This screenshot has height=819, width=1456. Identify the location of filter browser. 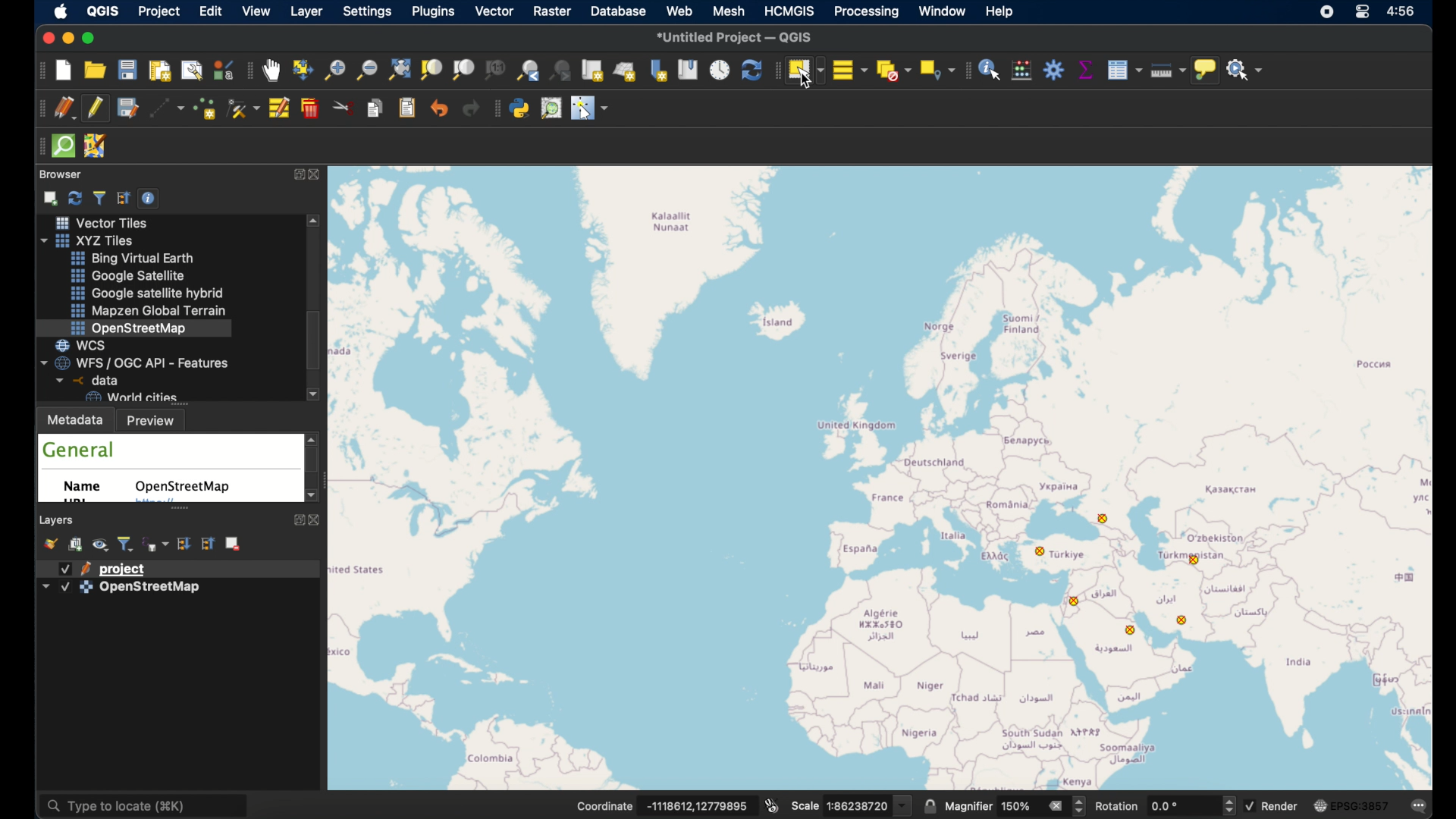
(99, 196).